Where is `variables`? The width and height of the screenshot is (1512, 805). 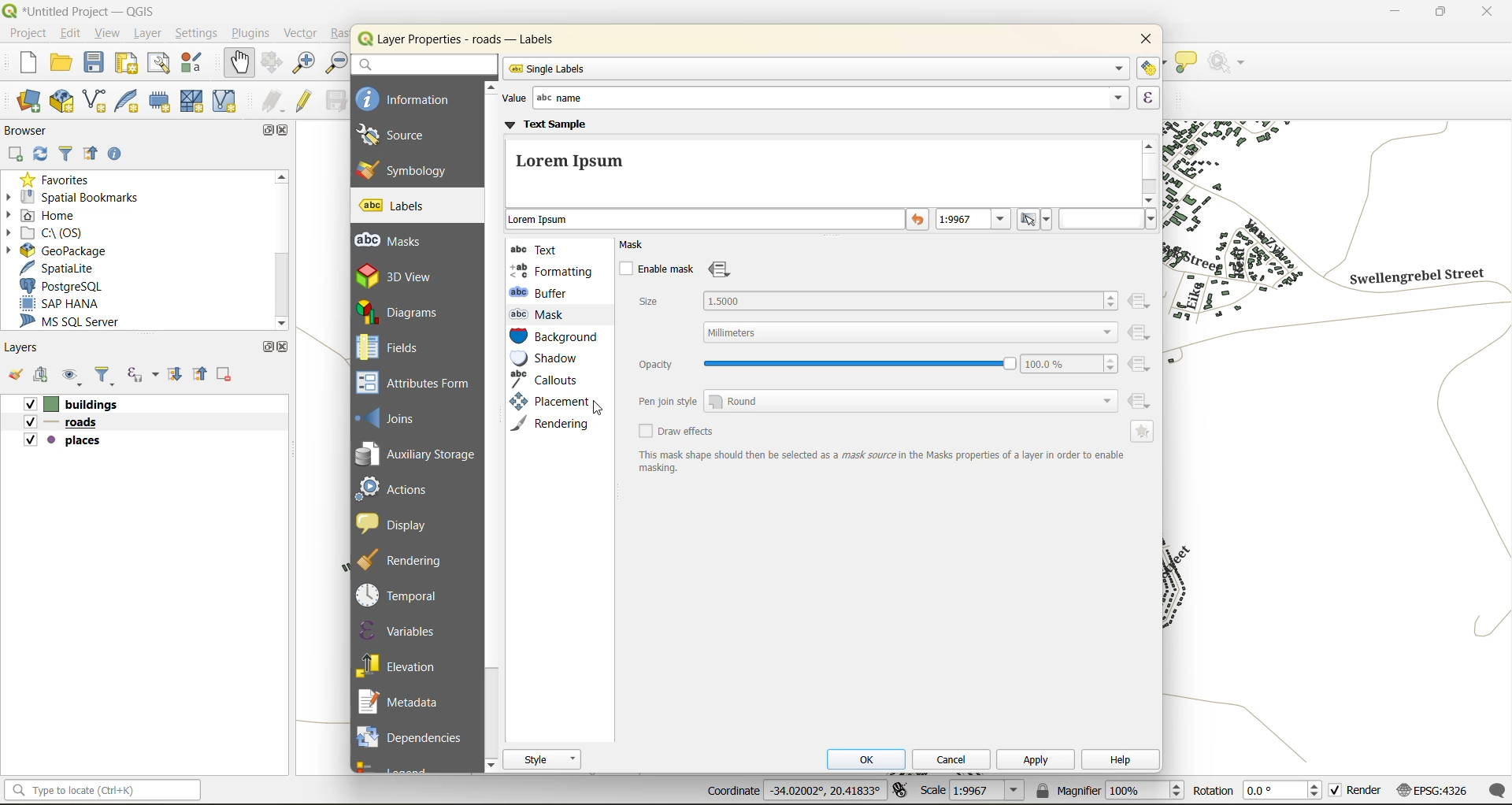 variables is located at coordinates (400, 630).